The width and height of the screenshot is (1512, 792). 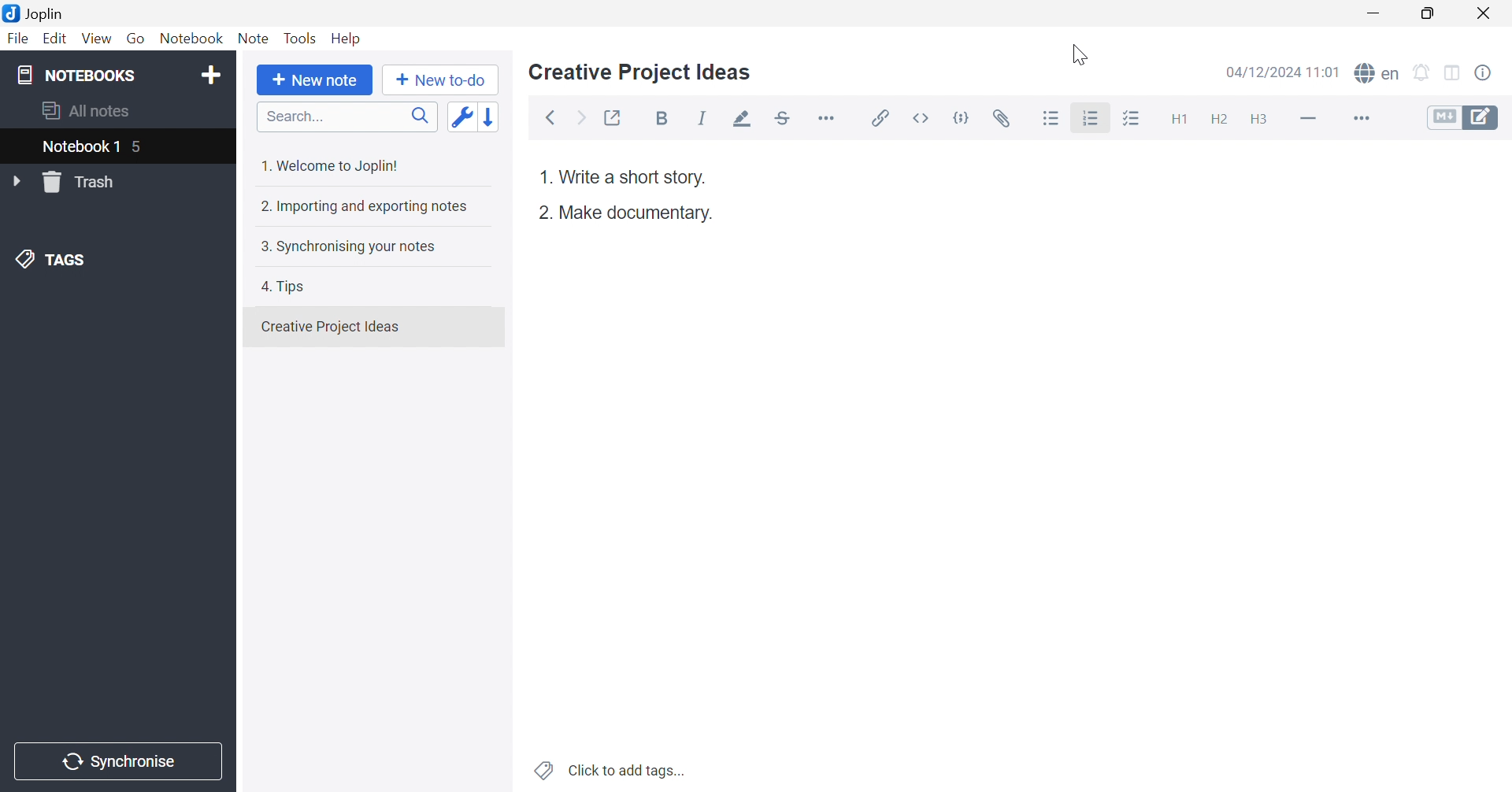 What do you see at coordinates (1492, 73) in the screenshot?
I see `Note properties` at bounding box center [1492, 73].